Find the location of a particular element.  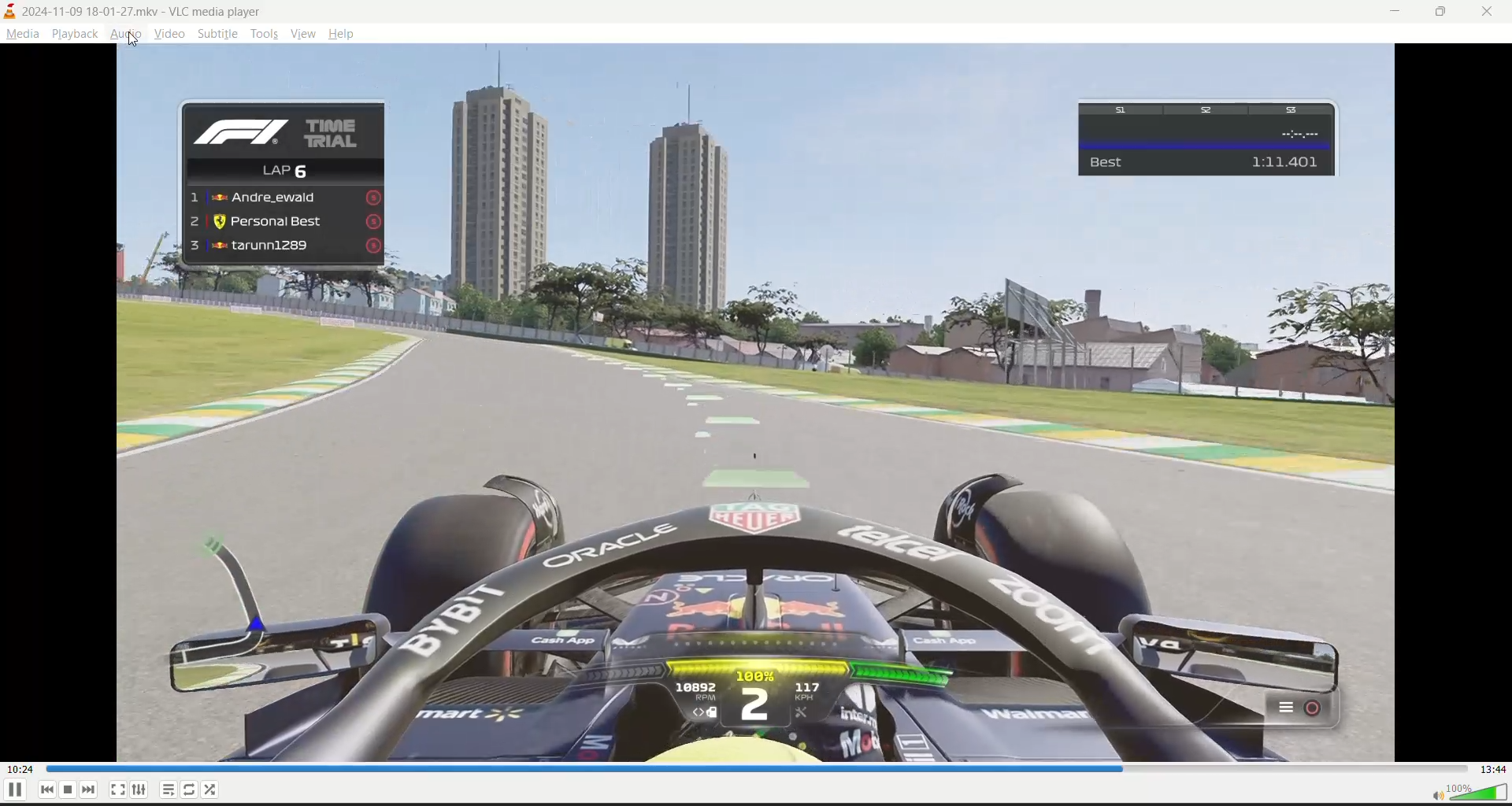

cursor is located at coordinates (135, 43).